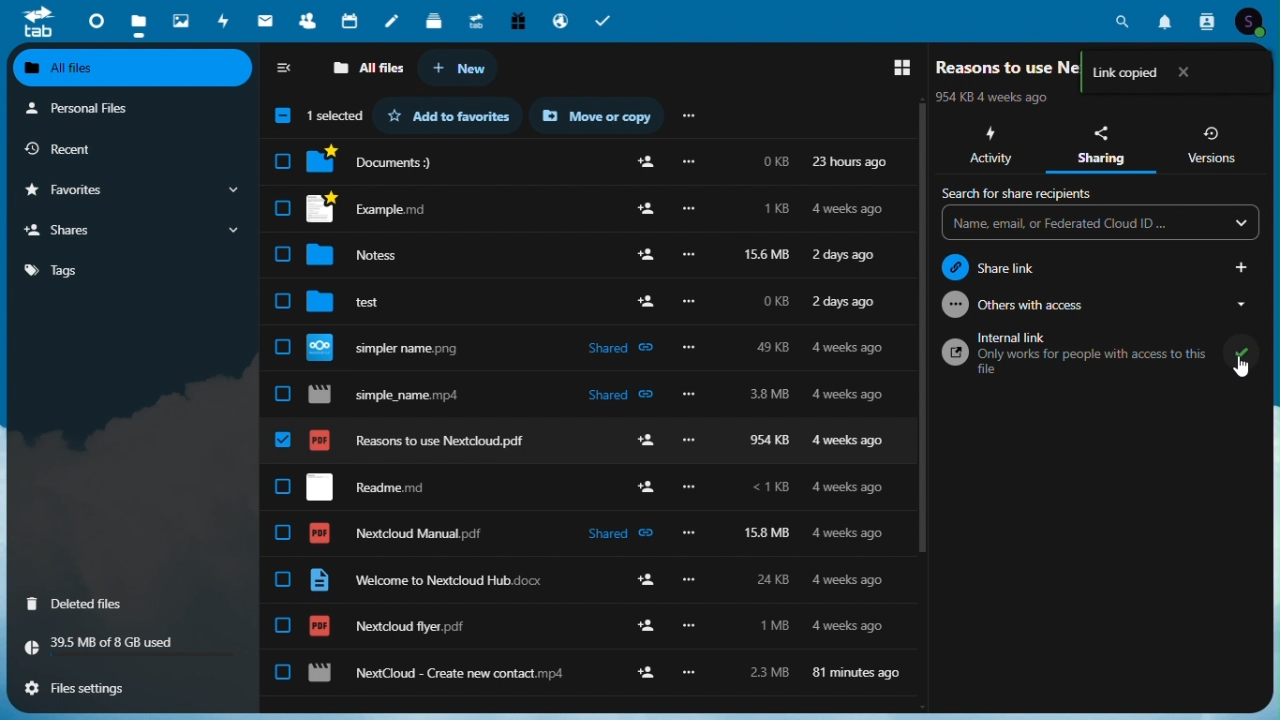 The height and width of the screenshot is (720, 1280). What do you see at coordinates (289, 67) in the screenshot?
I see `collapse sidebar` at bounding box center [289, 67].